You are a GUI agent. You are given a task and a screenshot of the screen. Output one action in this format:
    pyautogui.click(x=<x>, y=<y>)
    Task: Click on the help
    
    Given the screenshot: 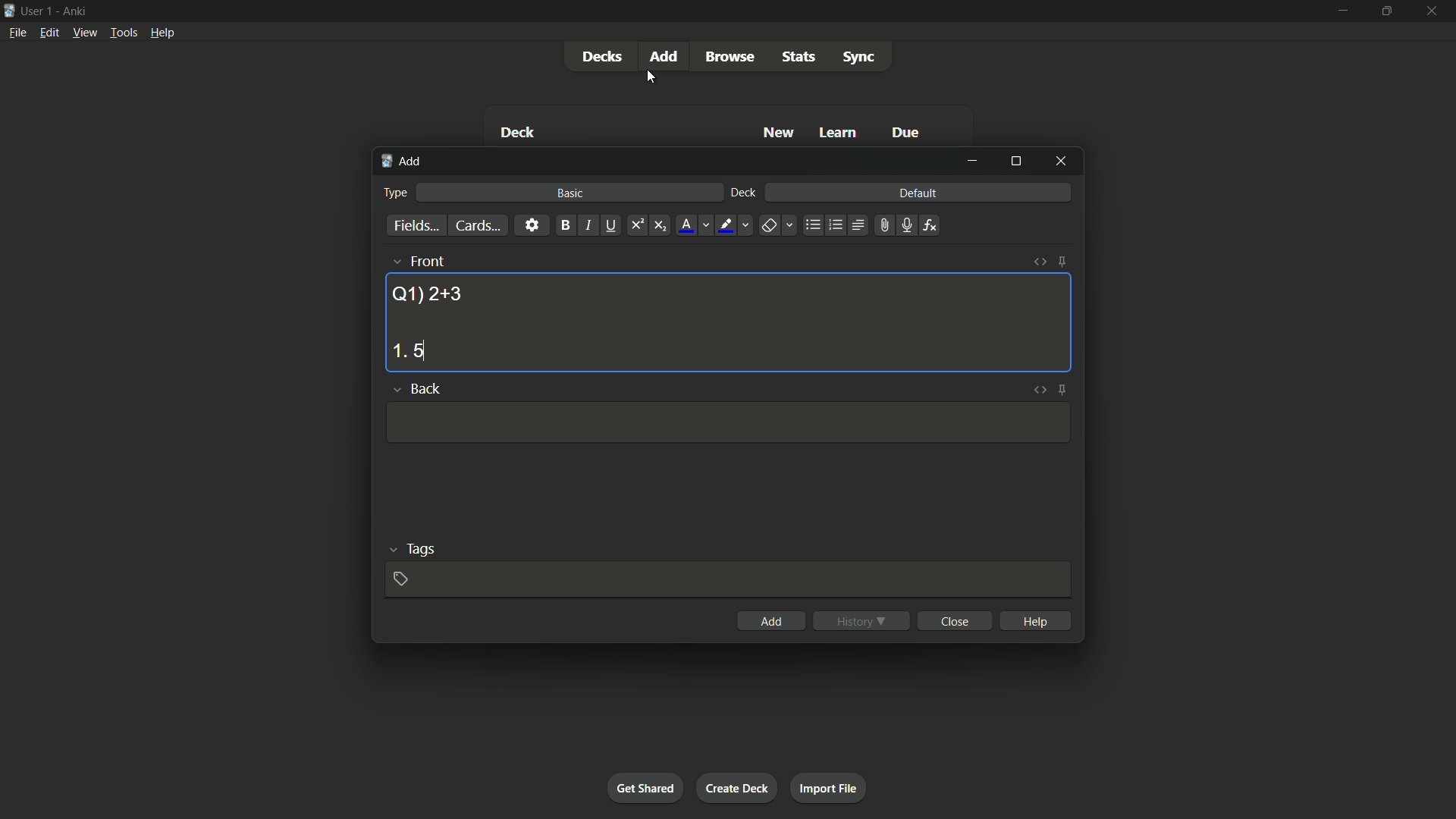 What is the action you would take?
    pyautogui.click(x=1037, y=620)
    